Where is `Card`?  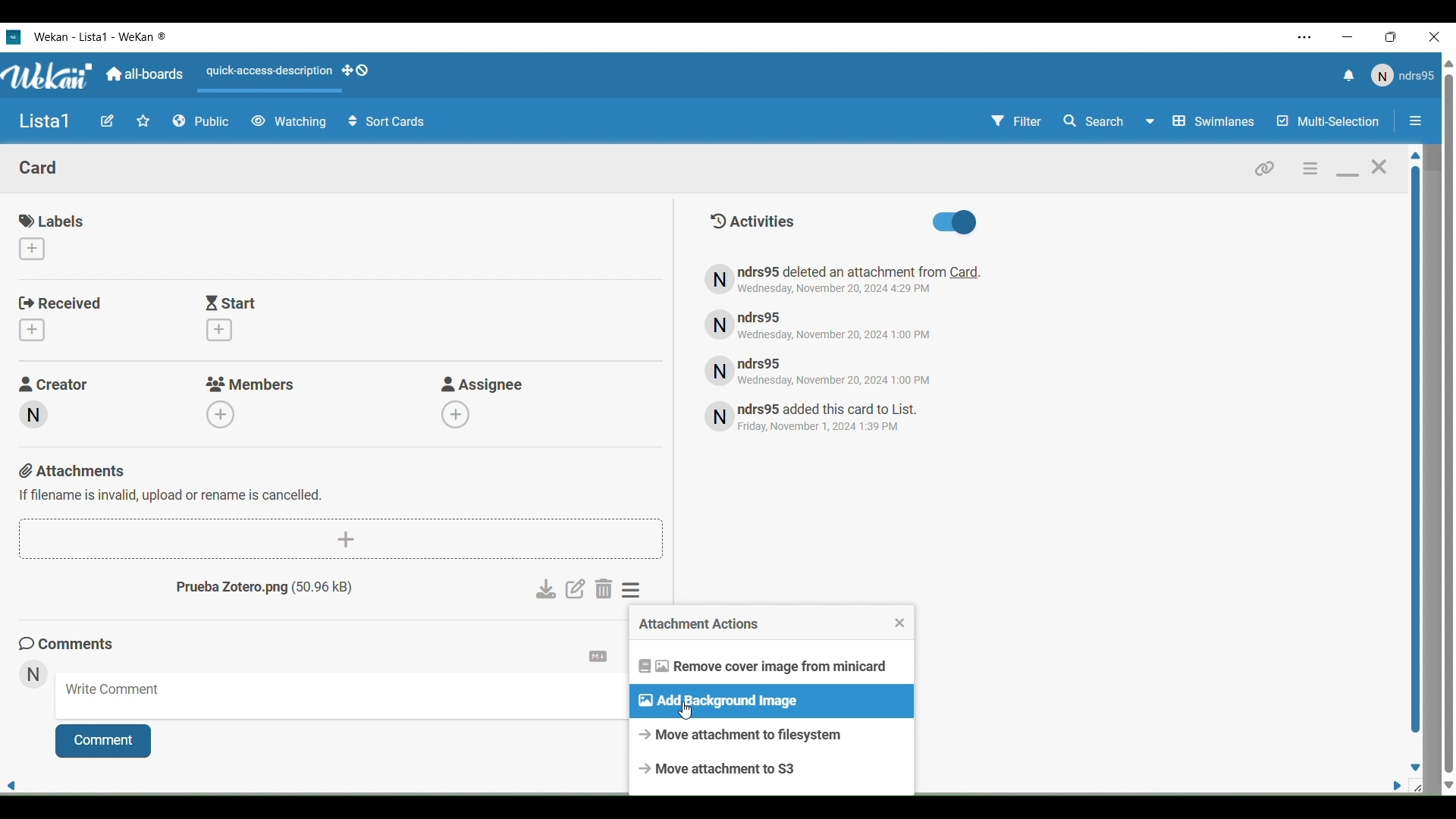 Card is located at coordinates (39, 167).